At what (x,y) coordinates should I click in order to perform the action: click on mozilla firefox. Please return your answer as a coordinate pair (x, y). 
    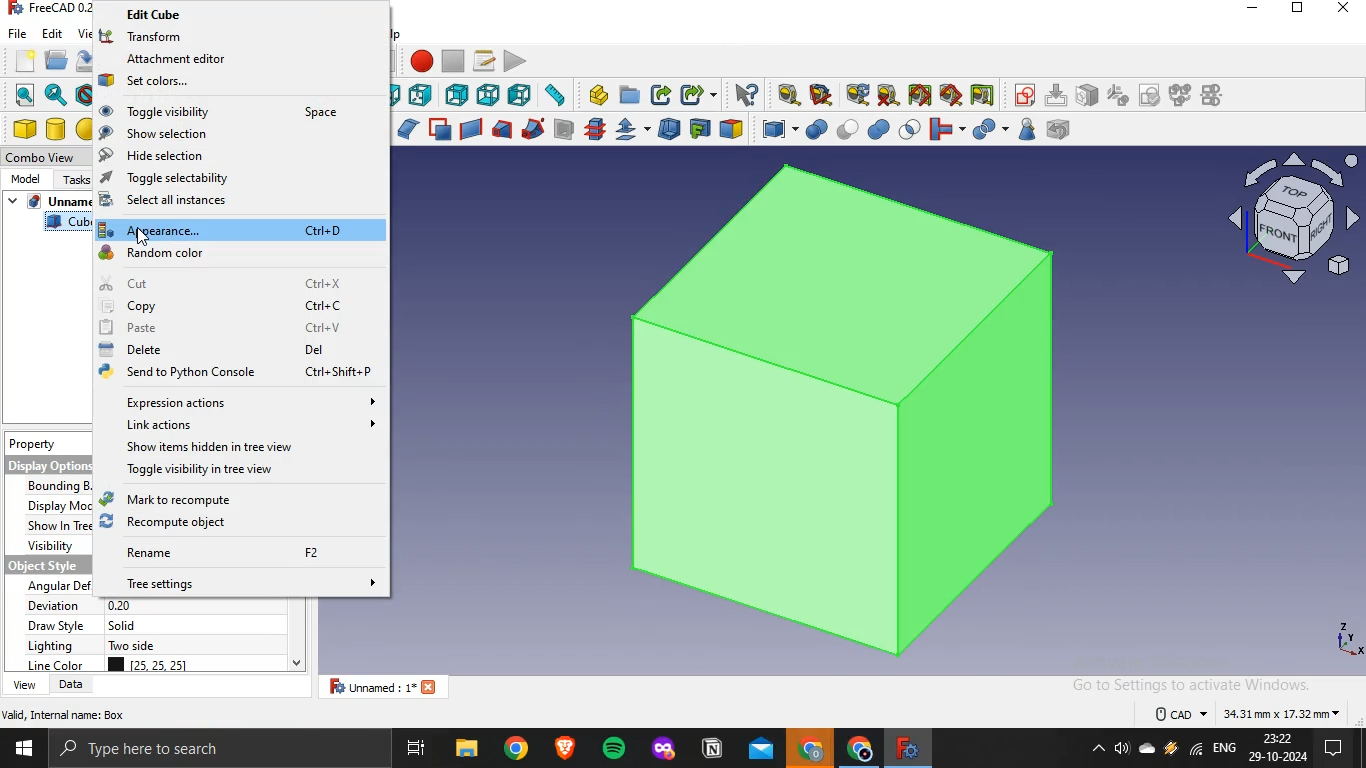
    Looking at the image, I should click on (664, 751).